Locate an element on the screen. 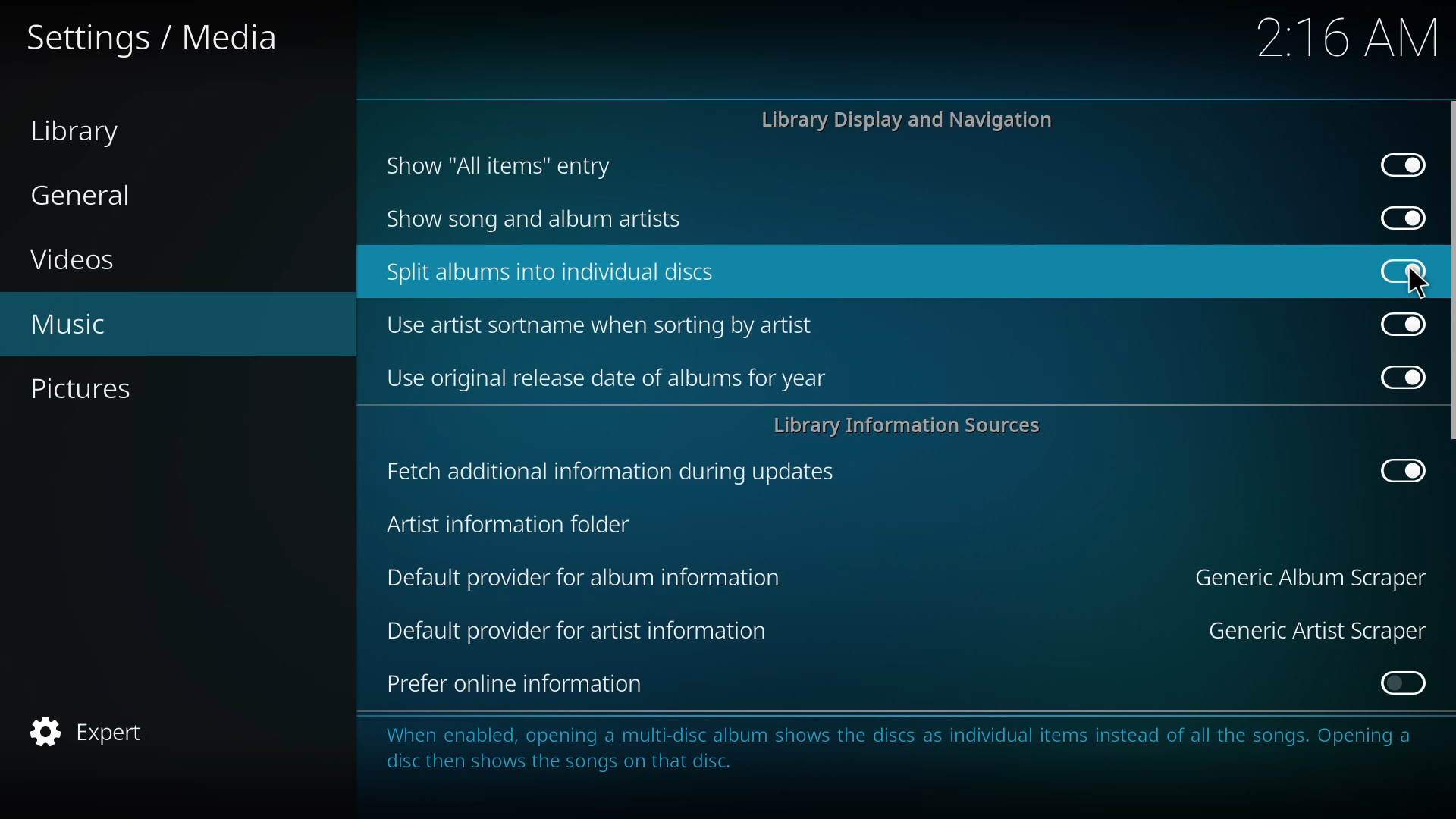  show song and album artists is located at coordinates (548, 219).